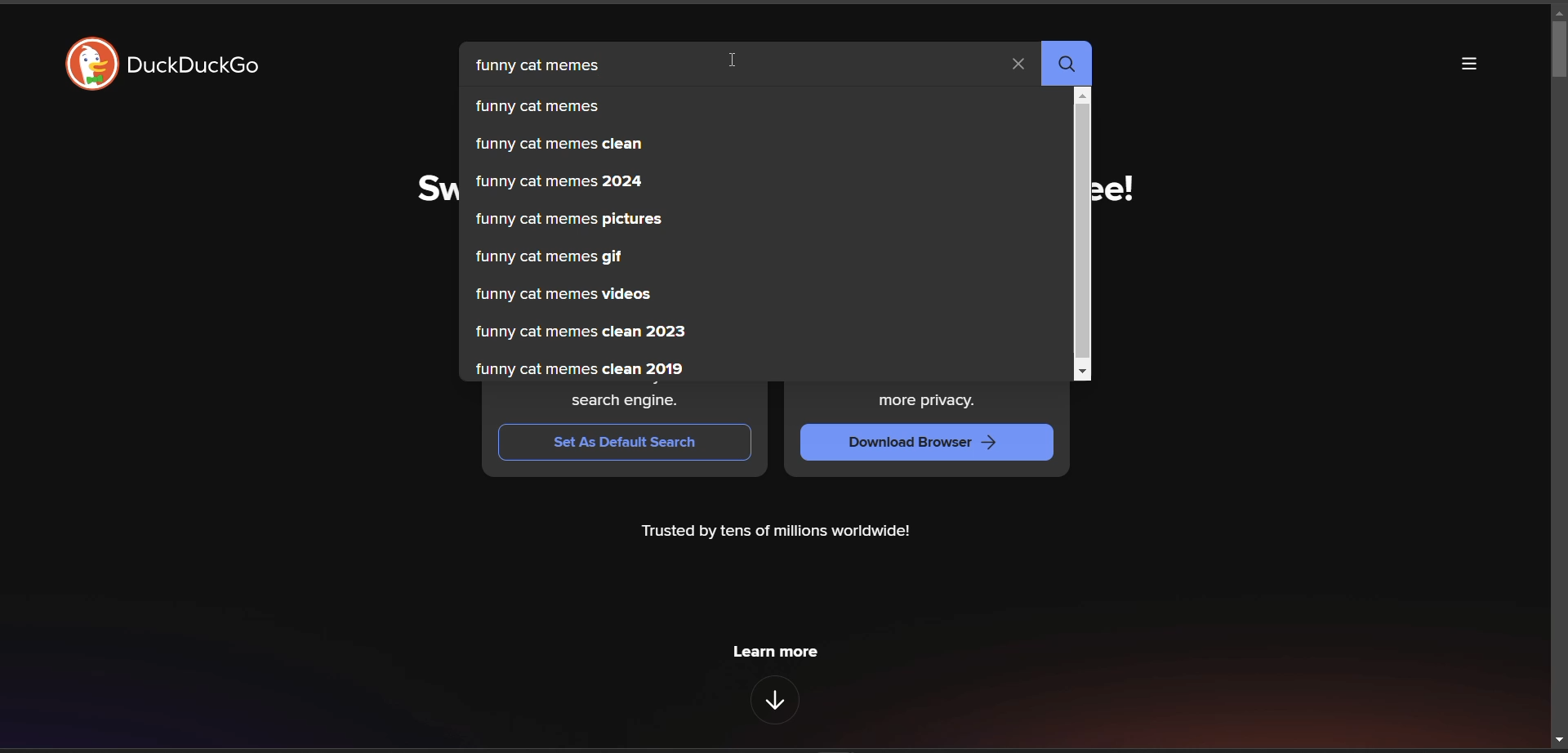 Image resolution: width=1568 pixels, height=753 pixels. I want to click on clear search term, so click(1017, 65).